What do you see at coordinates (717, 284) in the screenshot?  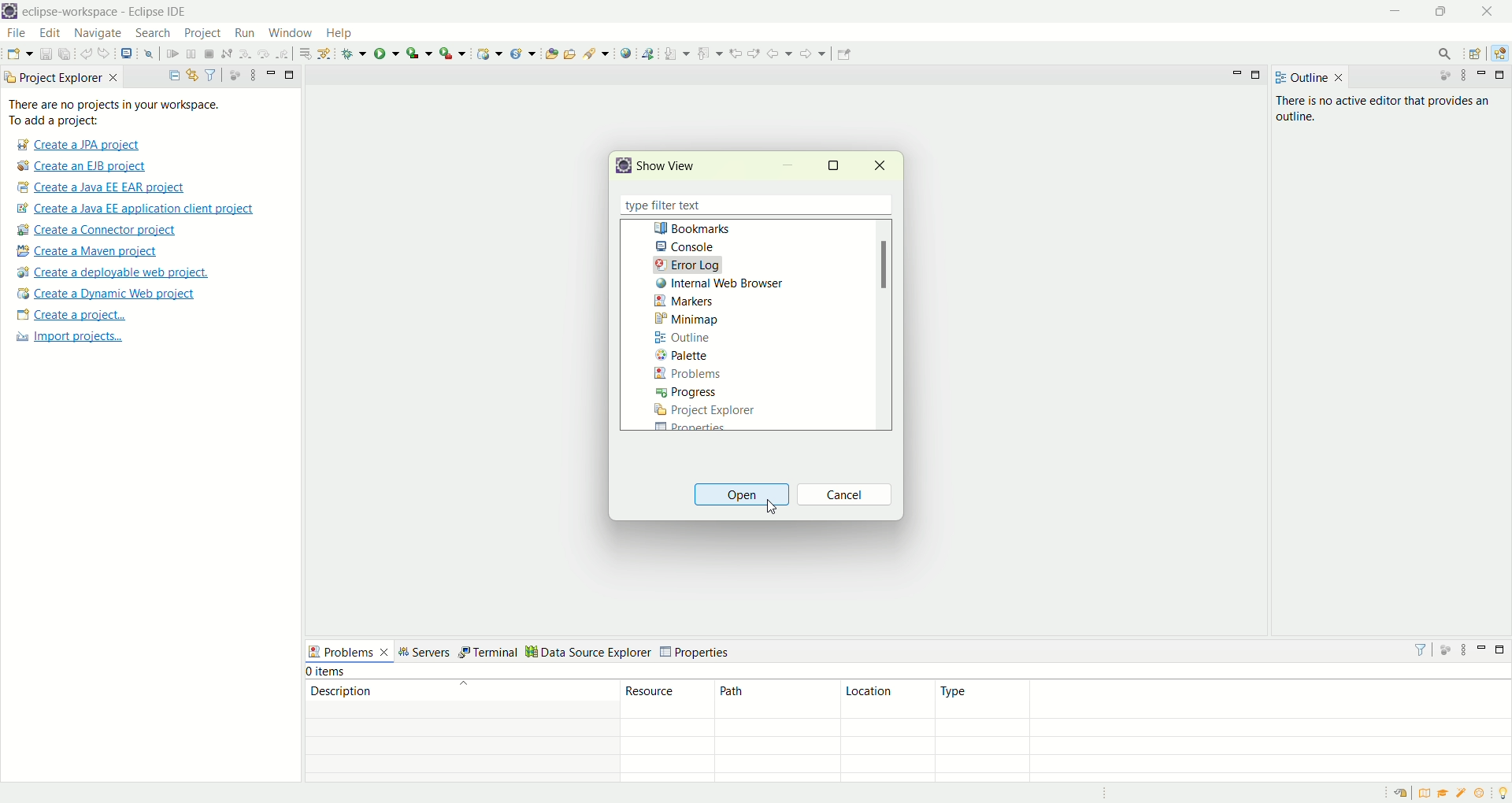 I see `internal web browser` at bounding box center [717, 284].